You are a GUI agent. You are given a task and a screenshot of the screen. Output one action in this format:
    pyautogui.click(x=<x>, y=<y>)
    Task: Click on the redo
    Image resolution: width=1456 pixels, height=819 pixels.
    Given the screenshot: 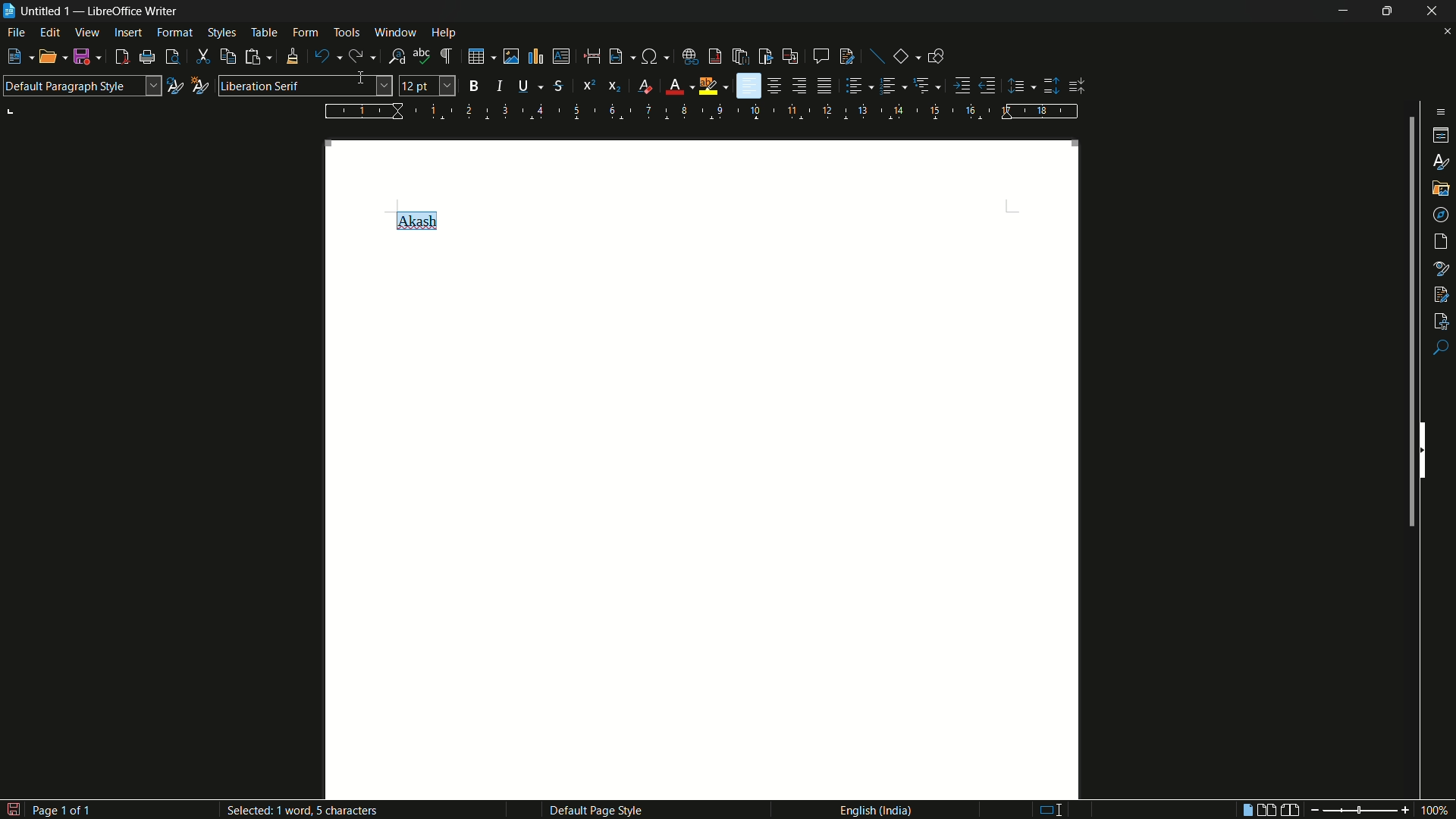 What is the action you would take?
    pyautogui.click(x=355, y=56)
    